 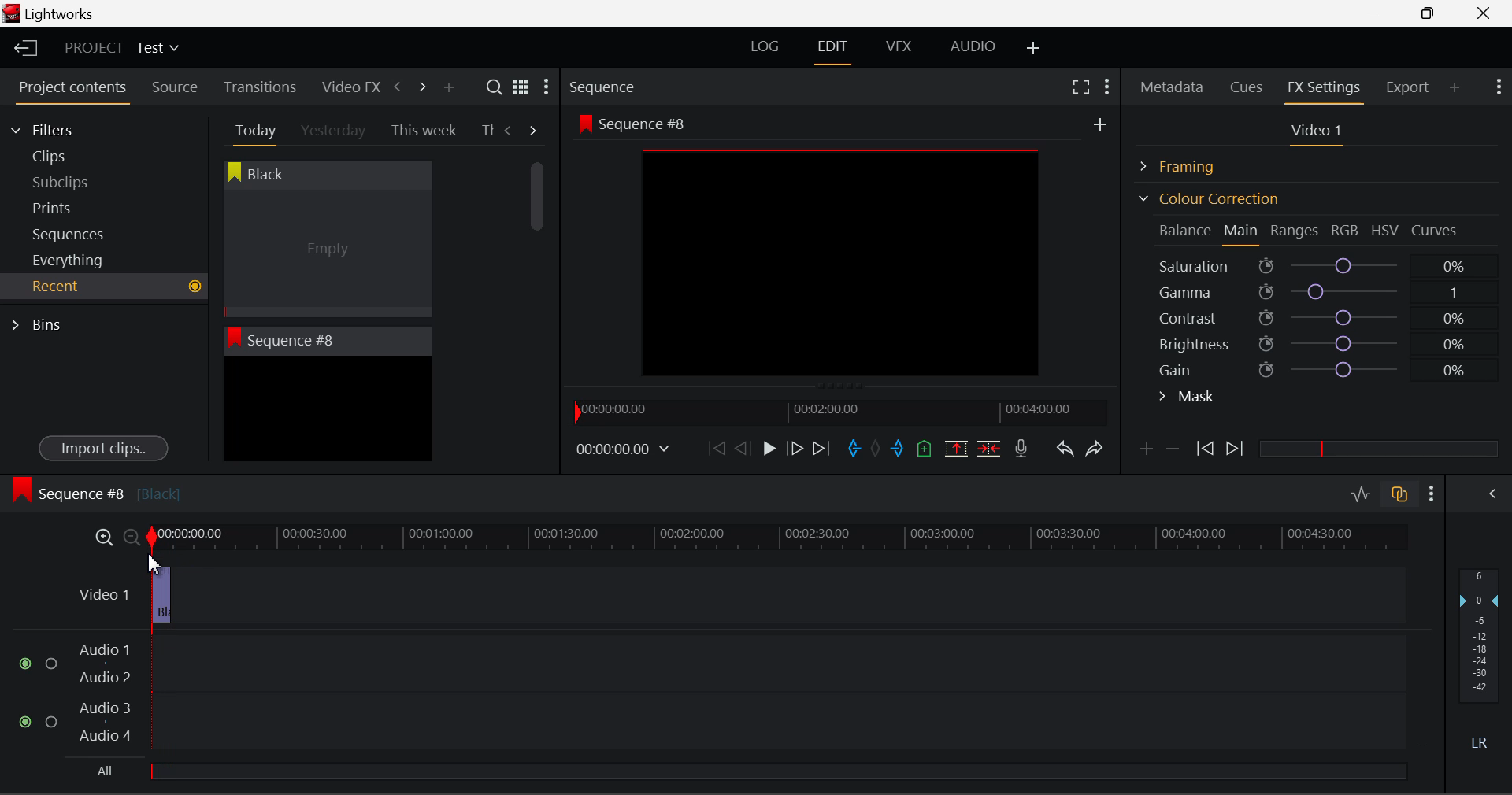 What do you see at coordinates (745, 447) in the screenshot?
I see `Go Back` at bounding box center [745, 447].